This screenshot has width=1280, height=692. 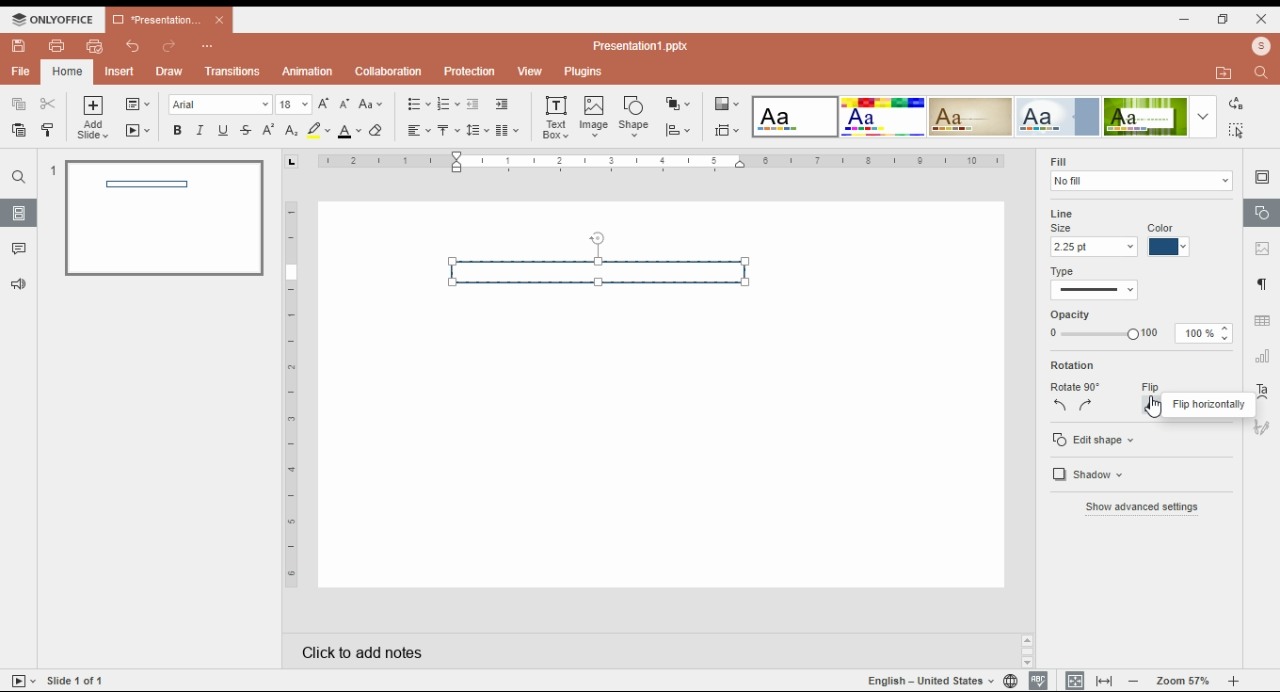 What do you see at coordinates (1260, 46) in the screenshot?
I see `profile` at bounding box center [1260, 46].